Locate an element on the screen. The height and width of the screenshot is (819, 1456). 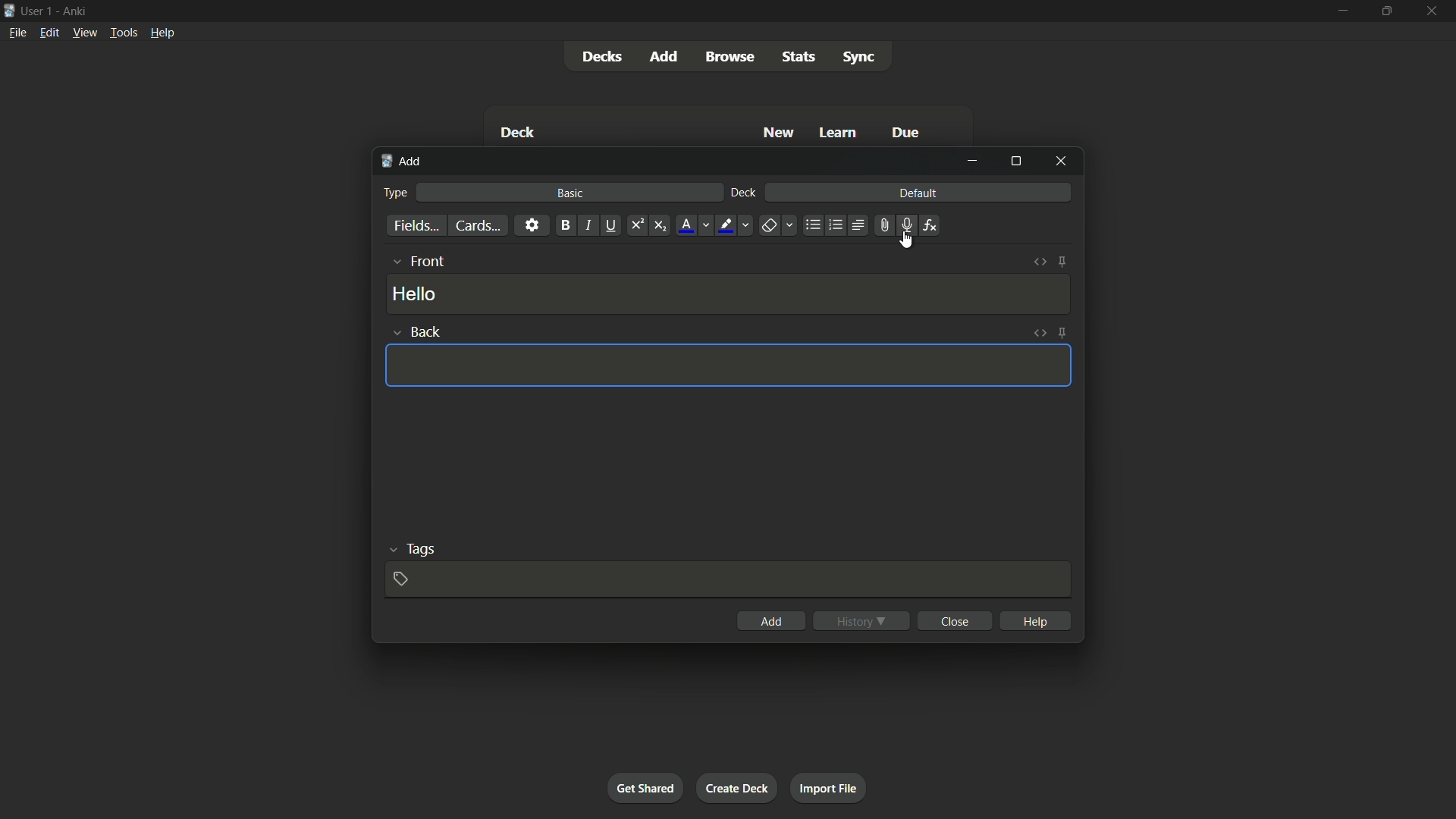
remove formatting is located at coordinates (779, 226).